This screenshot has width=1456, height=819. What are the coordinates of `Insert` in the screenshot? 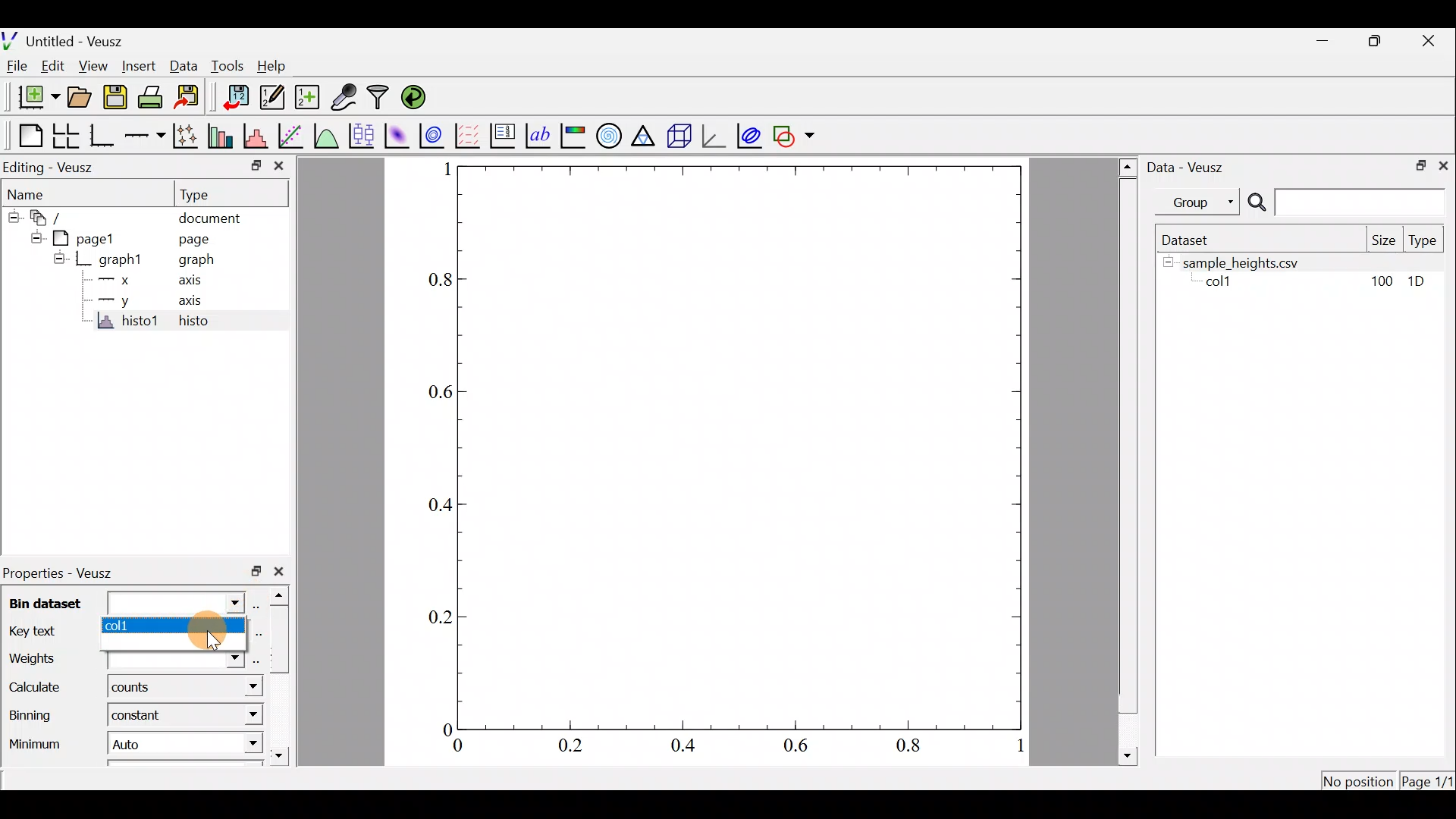 It's located at (138, 66).